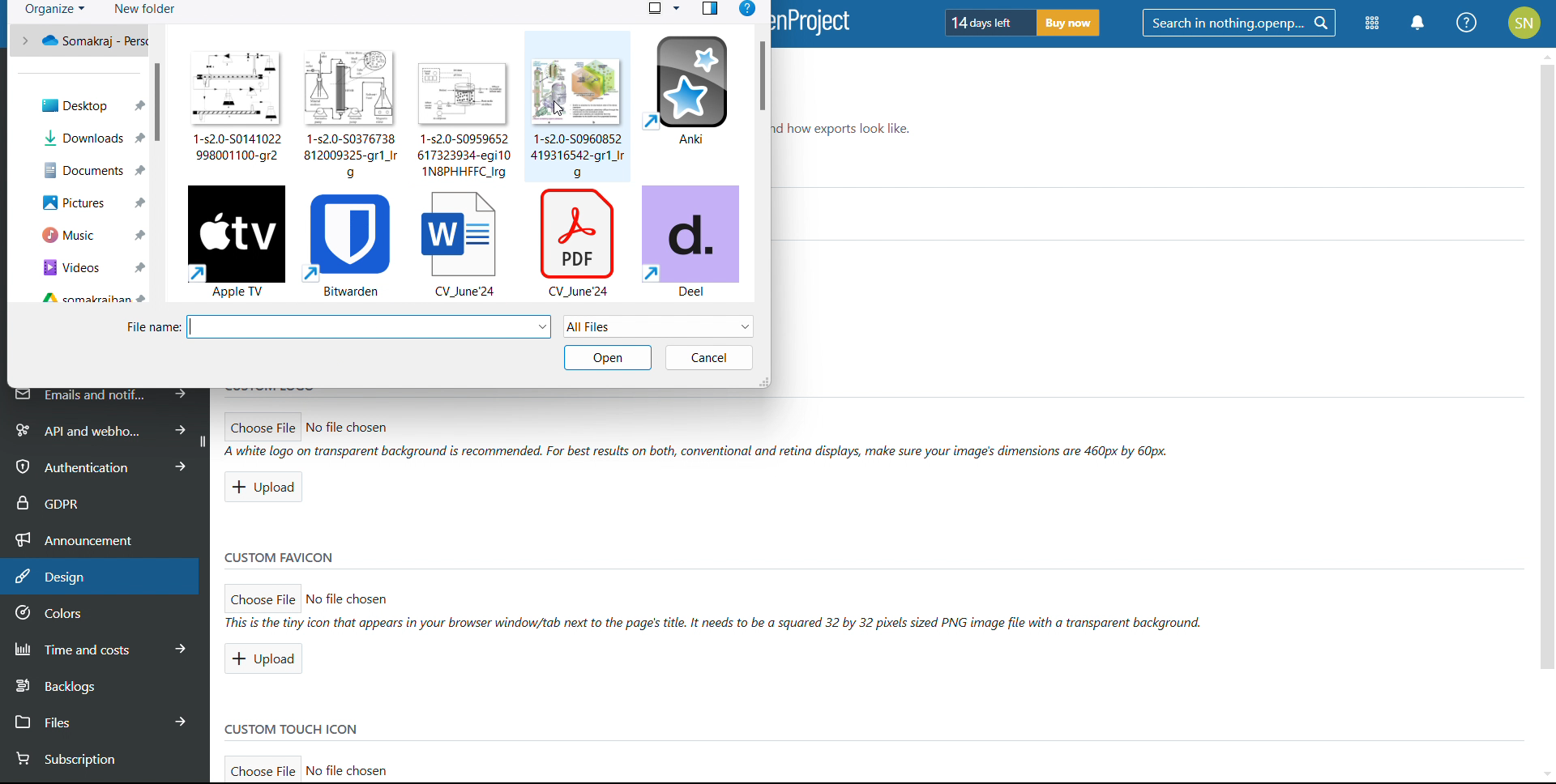 The width and height of the screenshot is (1556, 784). What do you see at coordinates (1419, 23) in the screenshot?
I see `notifications` at bounding box center [1419, 23].